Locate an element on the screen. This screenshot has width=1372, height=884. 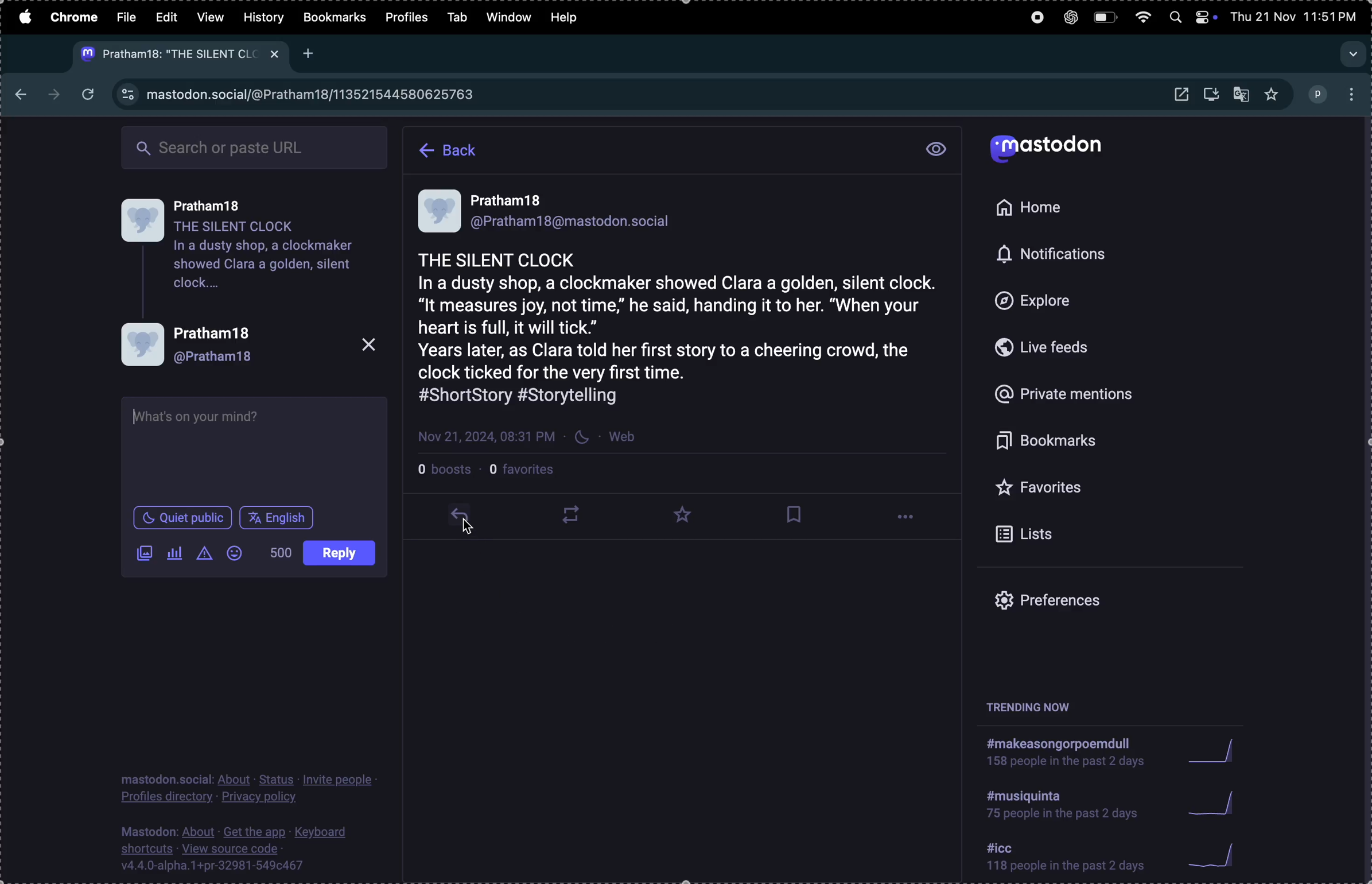
text box is located at coordinates (253, 447).